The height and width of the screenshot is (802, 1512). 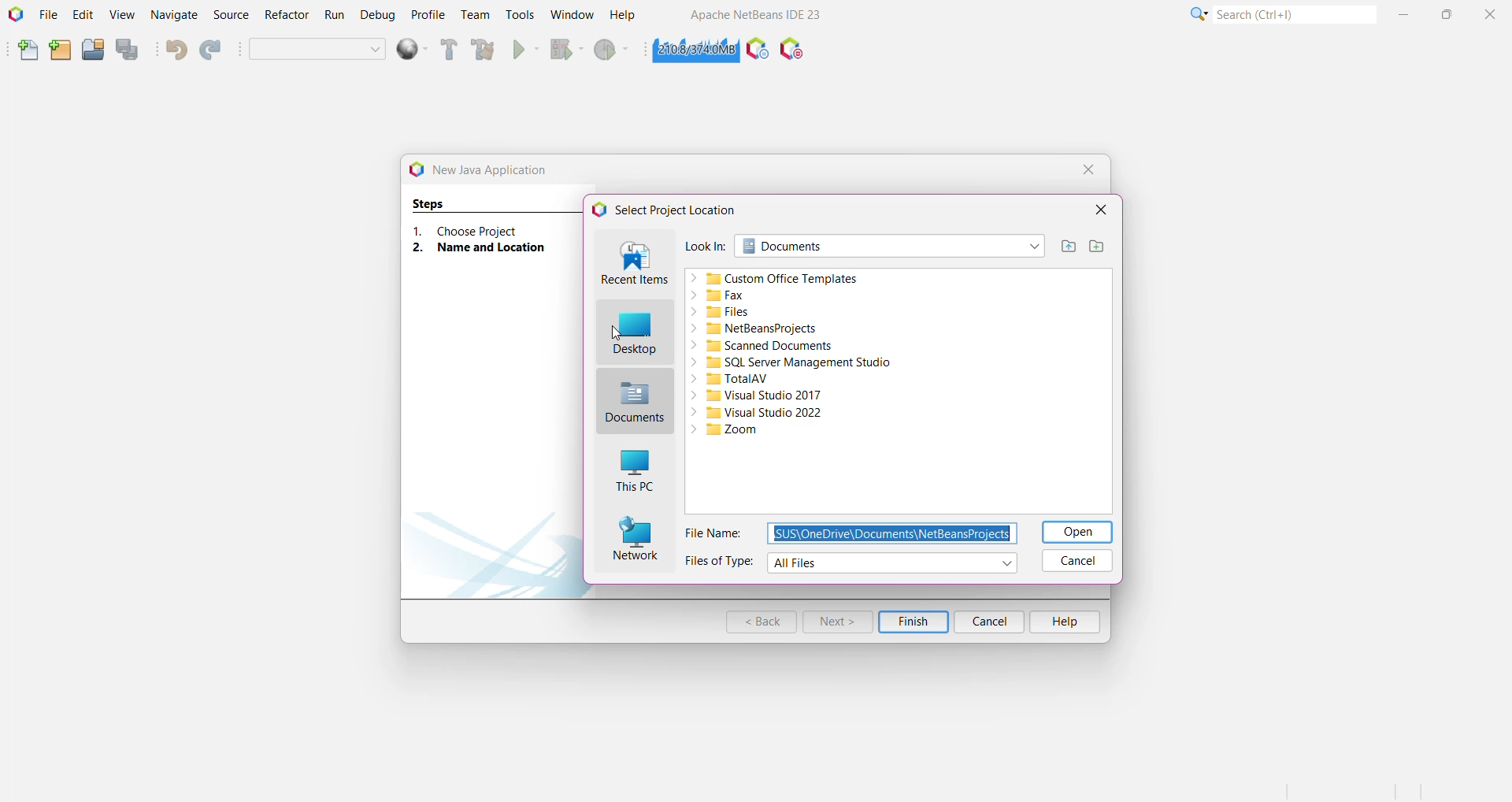 I want to click on Name and Location, so click(x=487, y=248).